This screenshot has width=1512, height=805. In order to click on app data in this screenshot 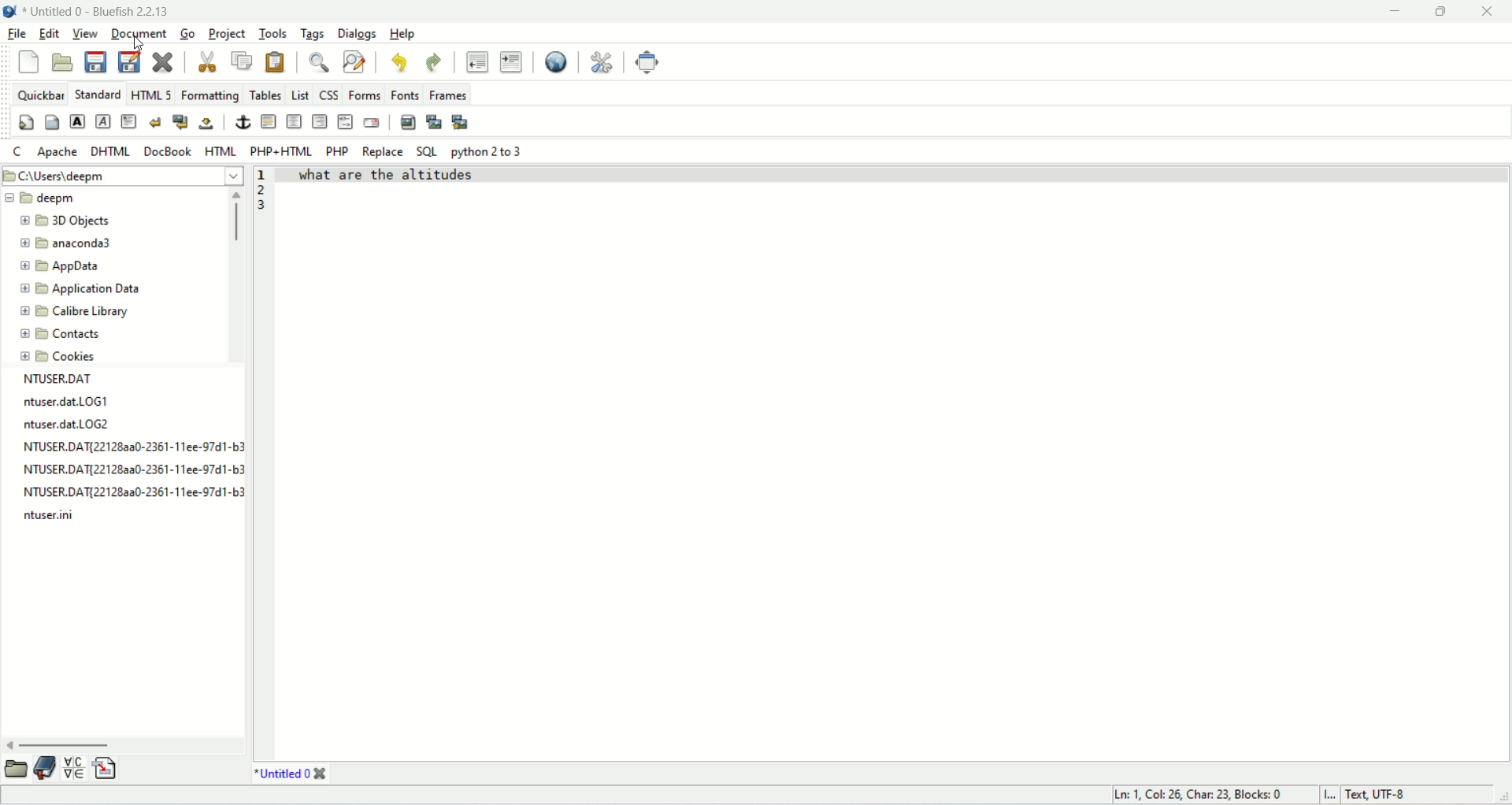, I will do `click(62, 268)`.